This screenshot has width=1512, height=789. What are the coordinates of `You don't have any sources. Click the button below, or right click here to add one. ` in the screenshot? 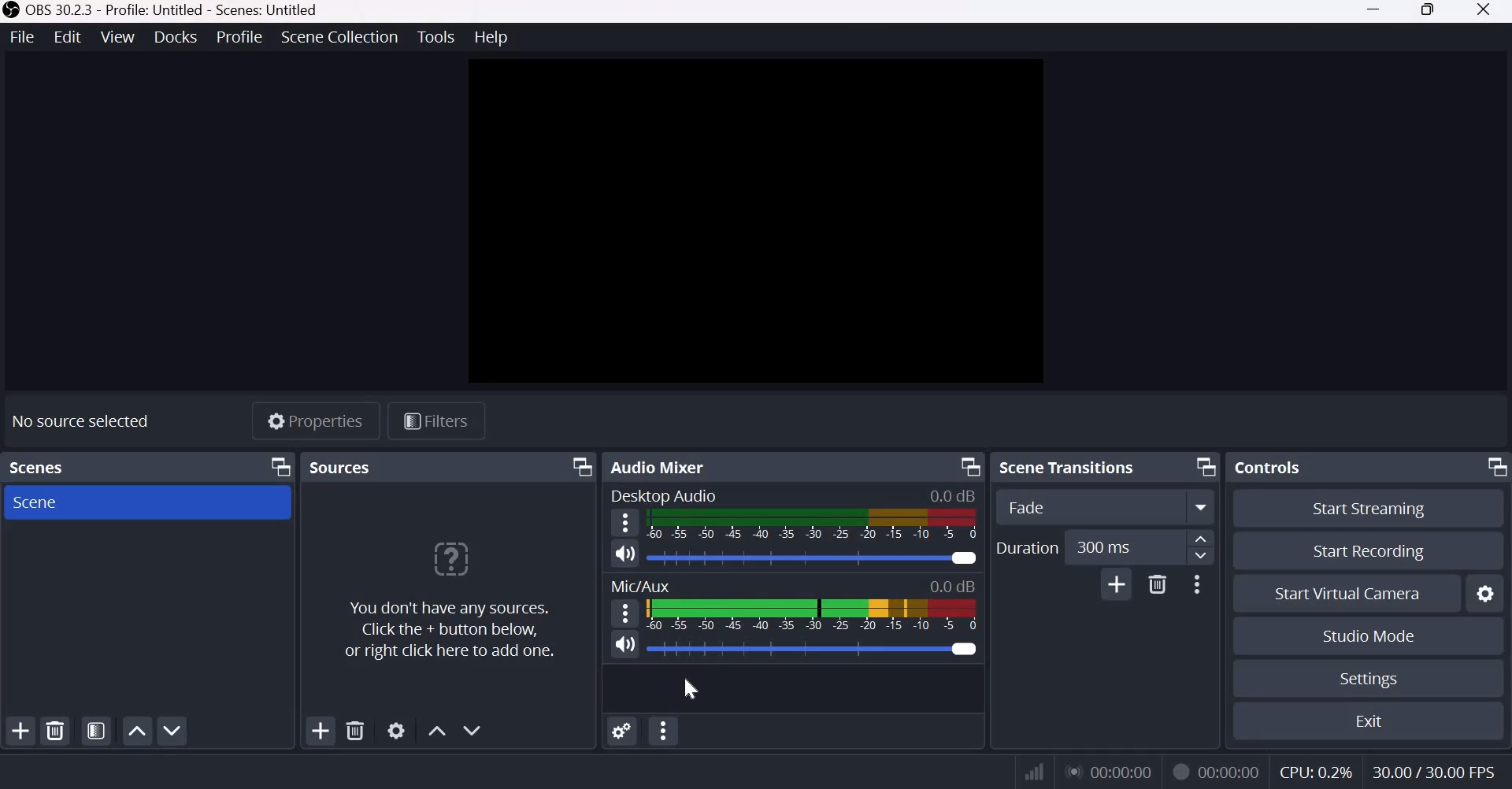 It's located at (448, 601).